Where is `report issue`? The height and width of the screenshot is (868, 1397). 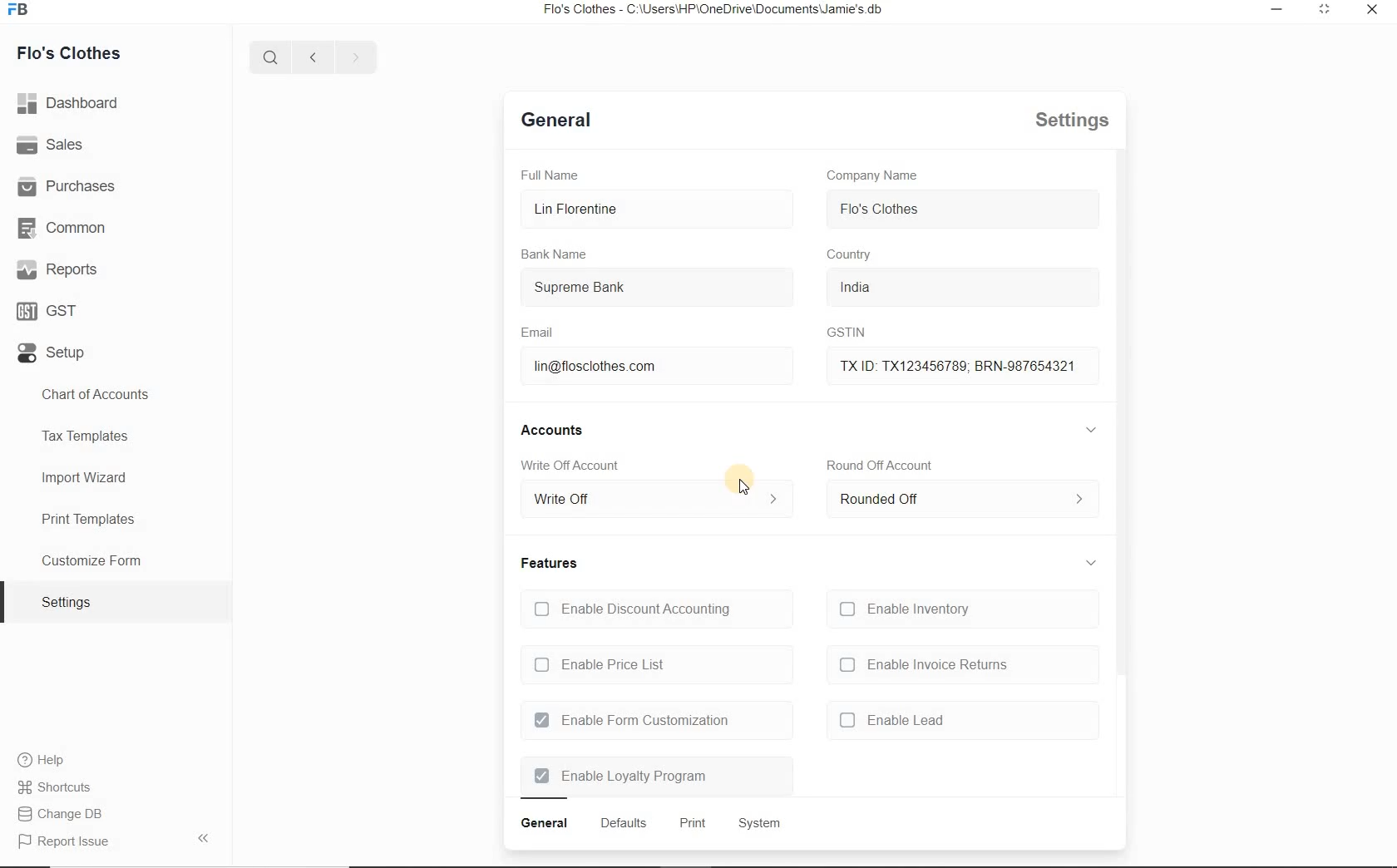
report issue is located at coordinates (72, 842).